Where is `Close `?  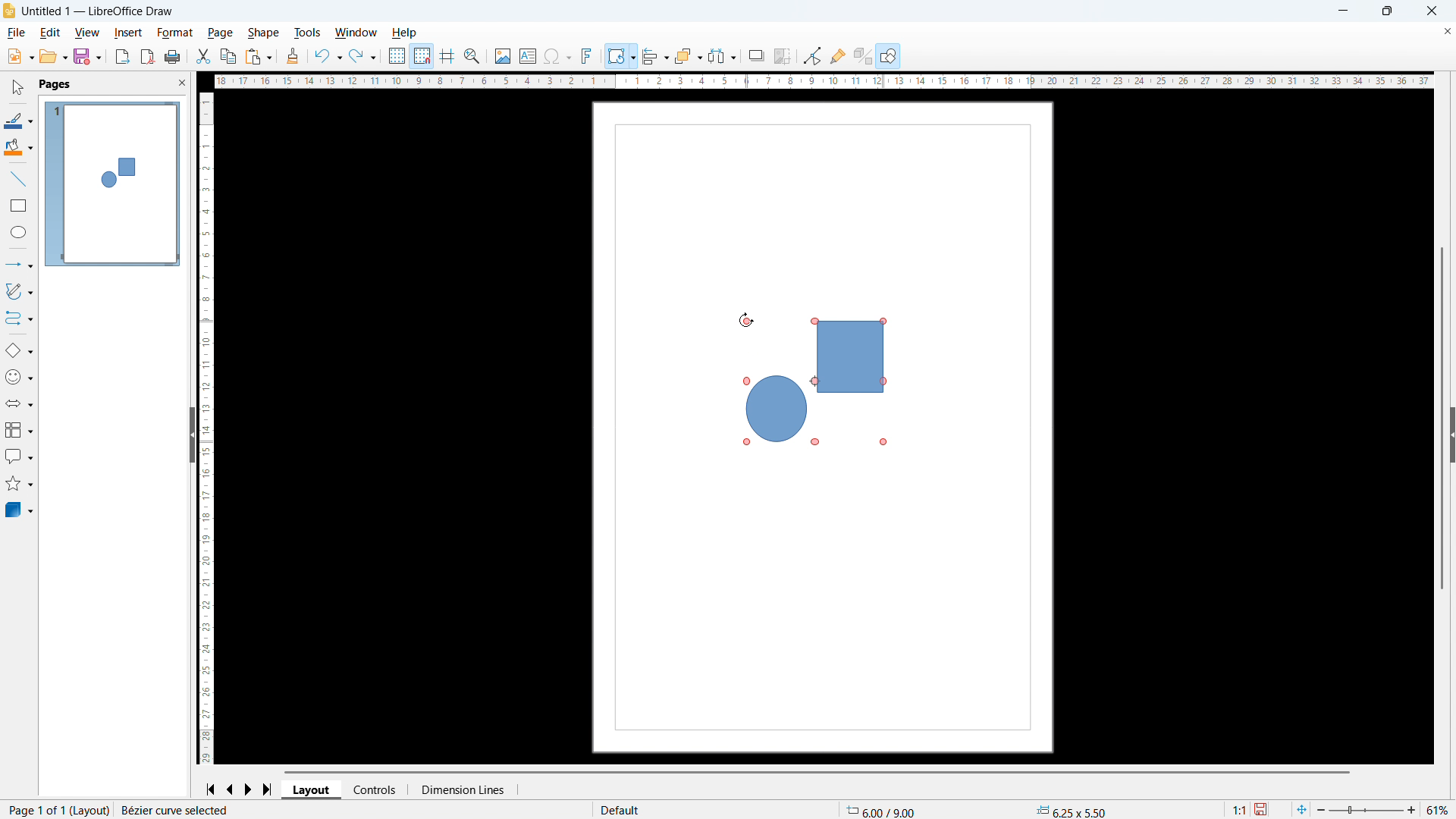
Close  is located at coordinates (1432, 11).